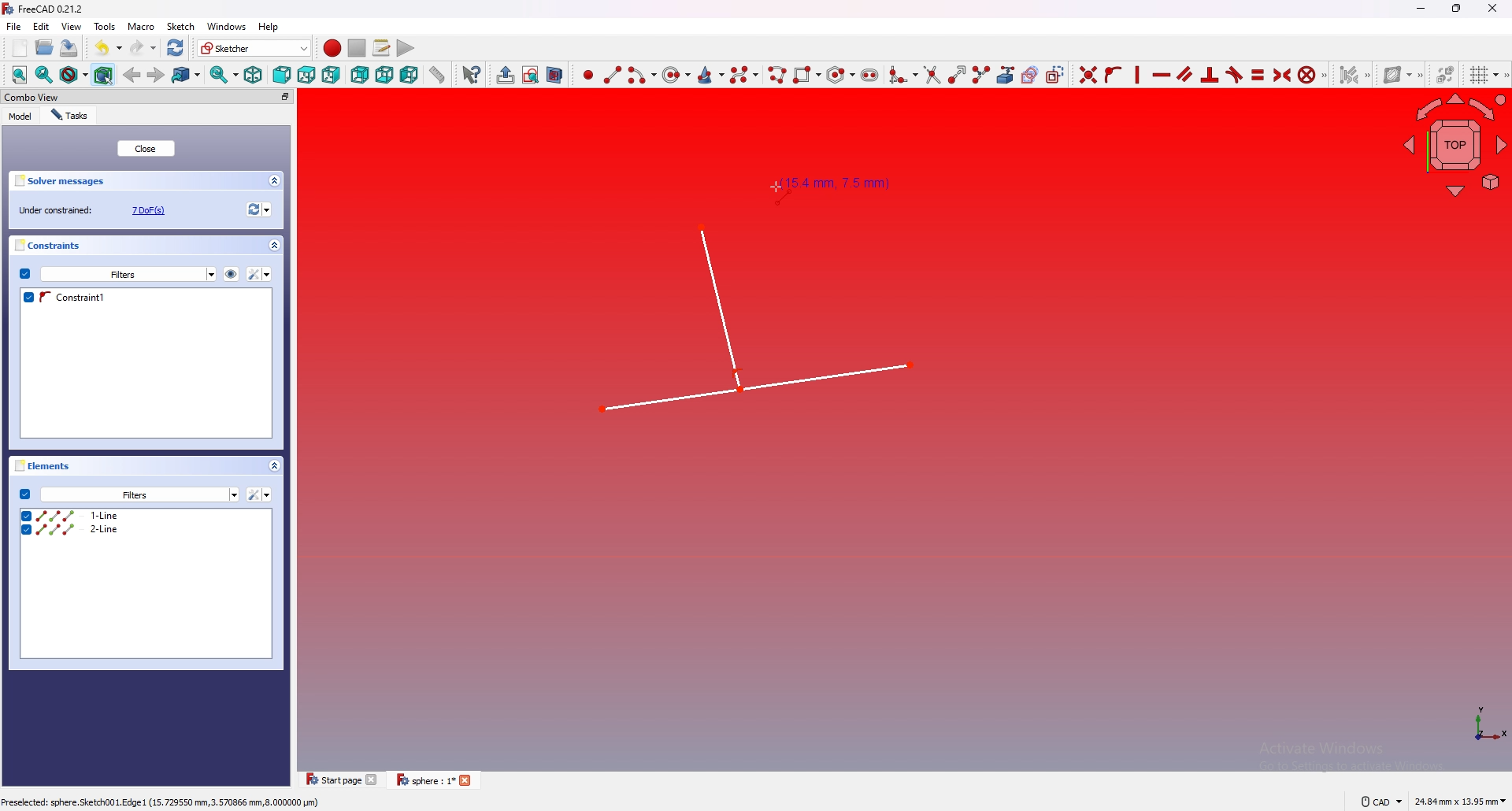 The image size is (1512, 811). Describe the element at coordinates (642, 75) in the screenshot. I see `Create arc` at that location.